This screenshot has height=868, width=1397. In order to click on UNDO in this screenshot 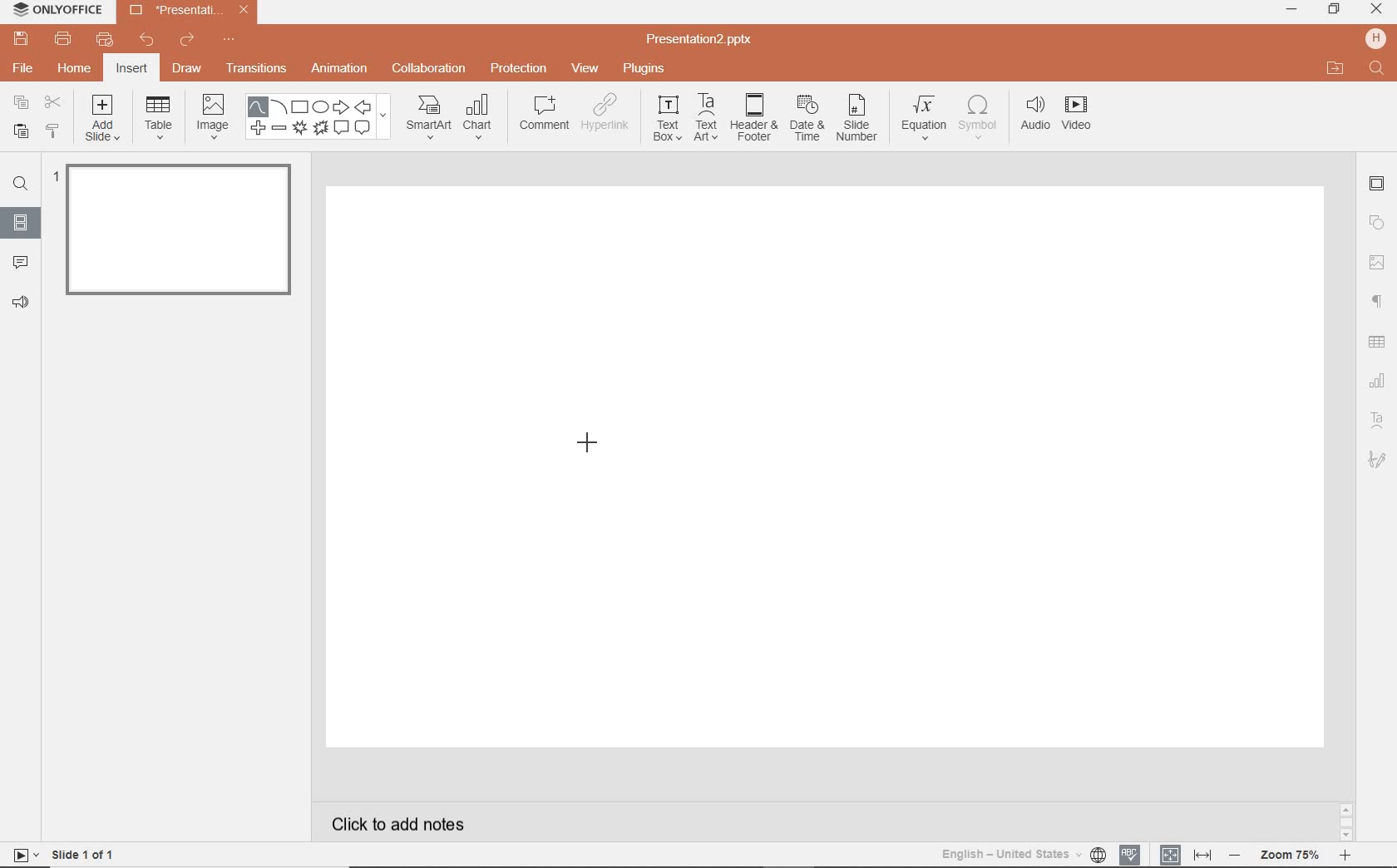, I will do `click(146, 42)`.